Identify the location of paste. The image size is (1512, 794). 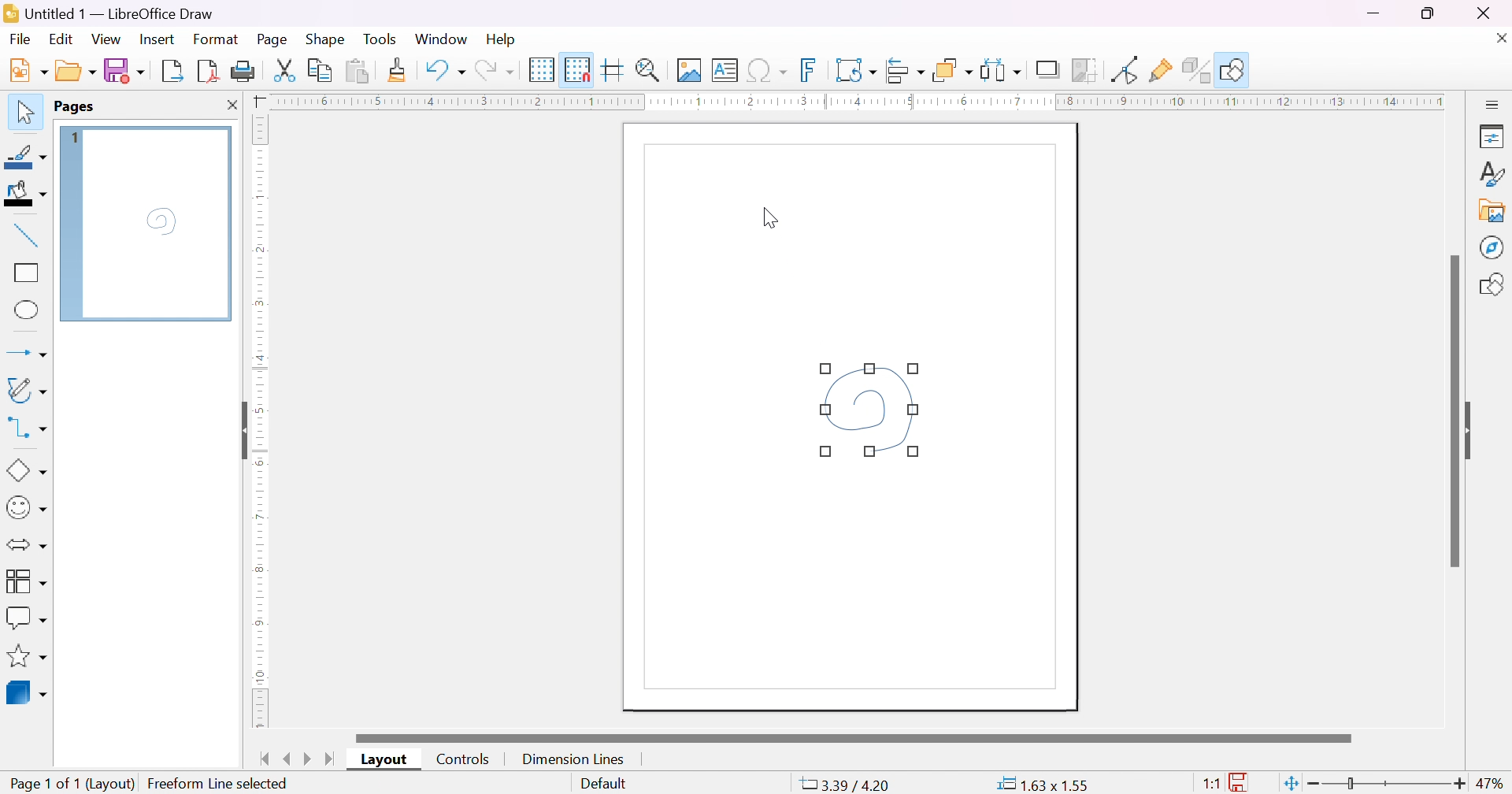
(358, 72).